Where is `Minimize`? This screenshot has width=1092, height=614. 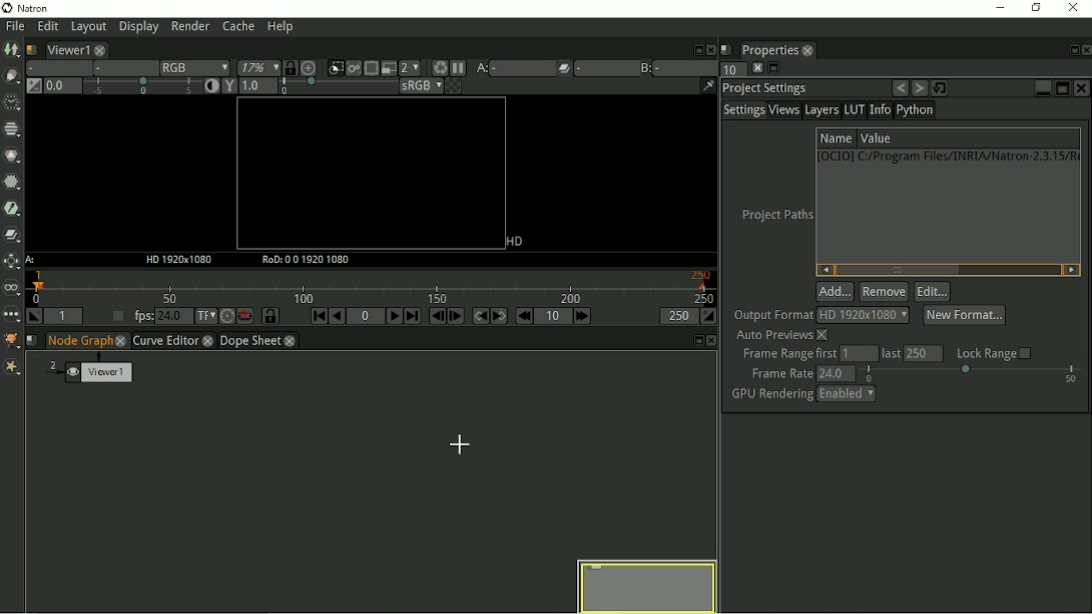
Minimize is located at coordinates (1042, 86).